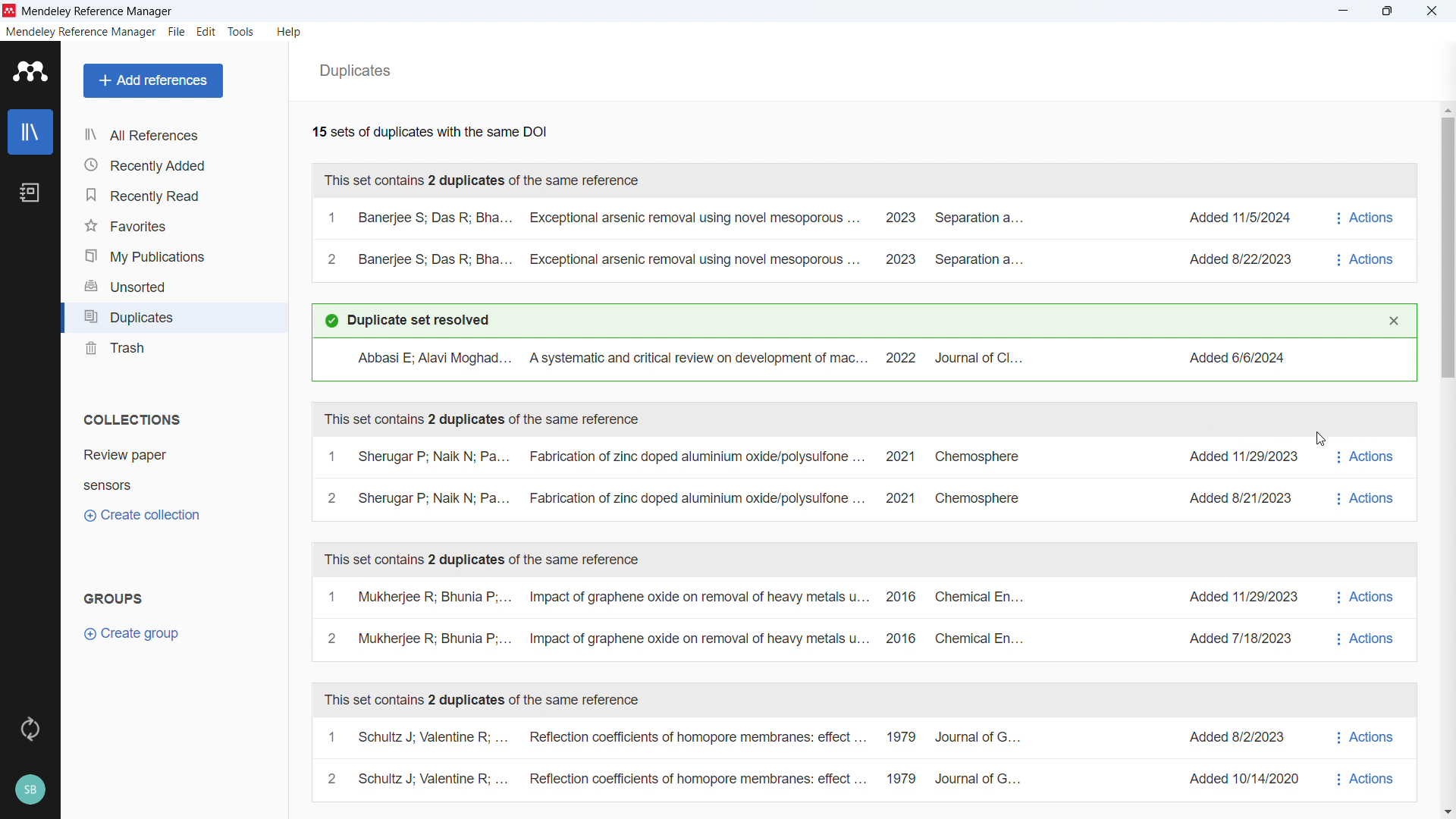 Image resolution: width=1456 pixels, height=819 pixels. What do you see at coordinates (173, 254) in the screenshot?
I see `My publications ` at bounding box center [173, 254].